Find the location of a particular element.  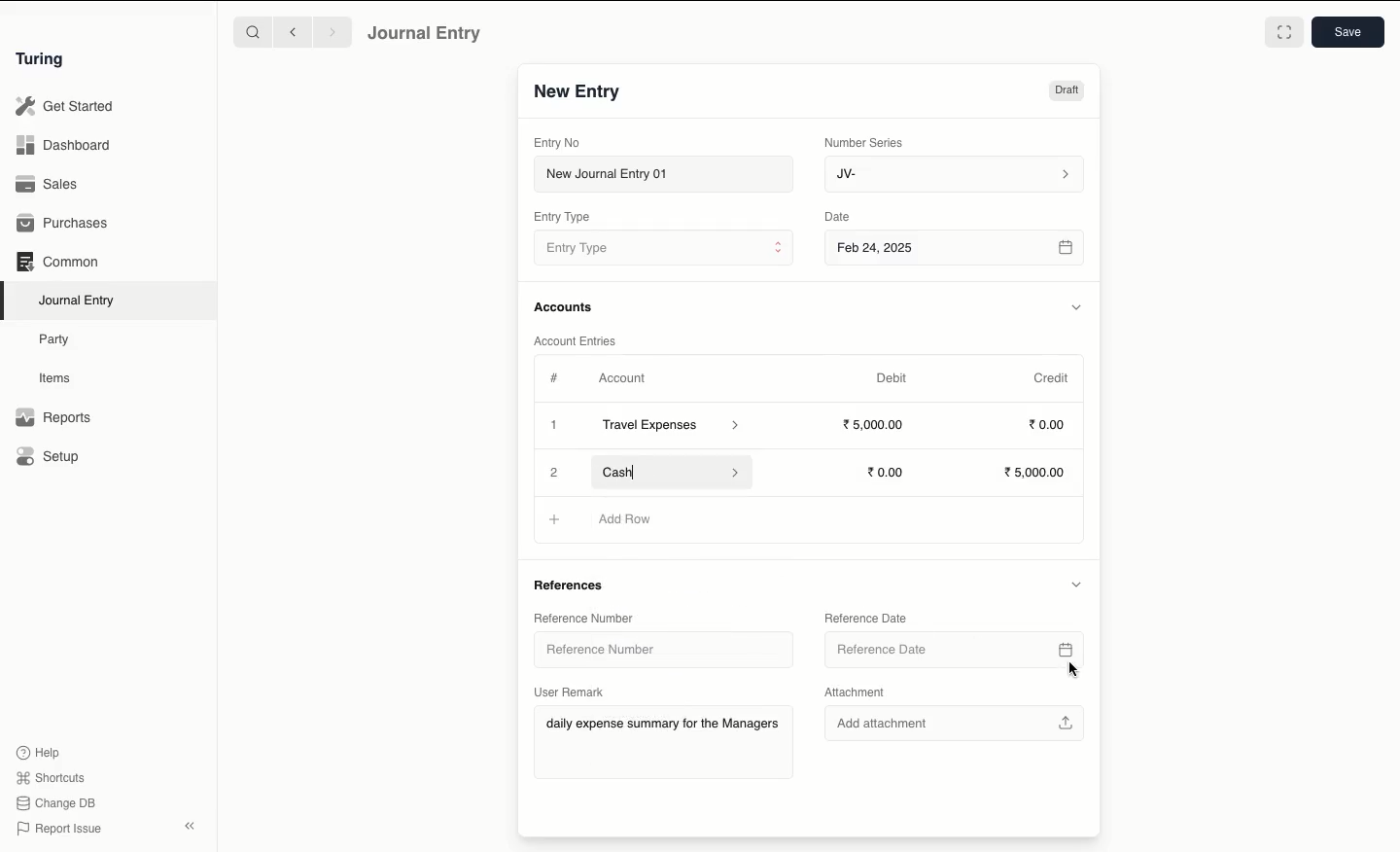

New Entry is located at coordinates (578, 92).